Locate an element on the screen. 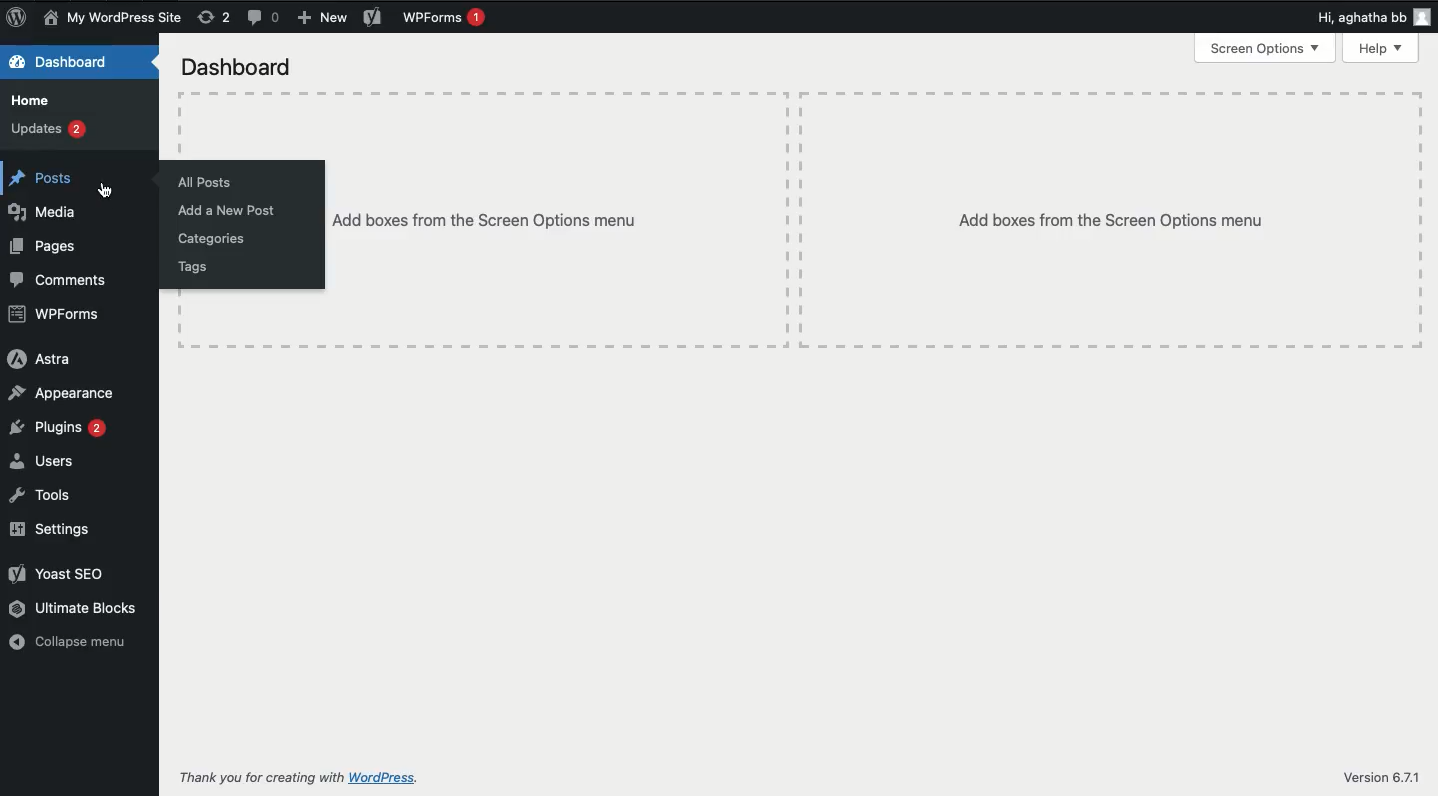 The height and width of the screenshot is (796, 1438). Help is located at coordinates (1381, 49).